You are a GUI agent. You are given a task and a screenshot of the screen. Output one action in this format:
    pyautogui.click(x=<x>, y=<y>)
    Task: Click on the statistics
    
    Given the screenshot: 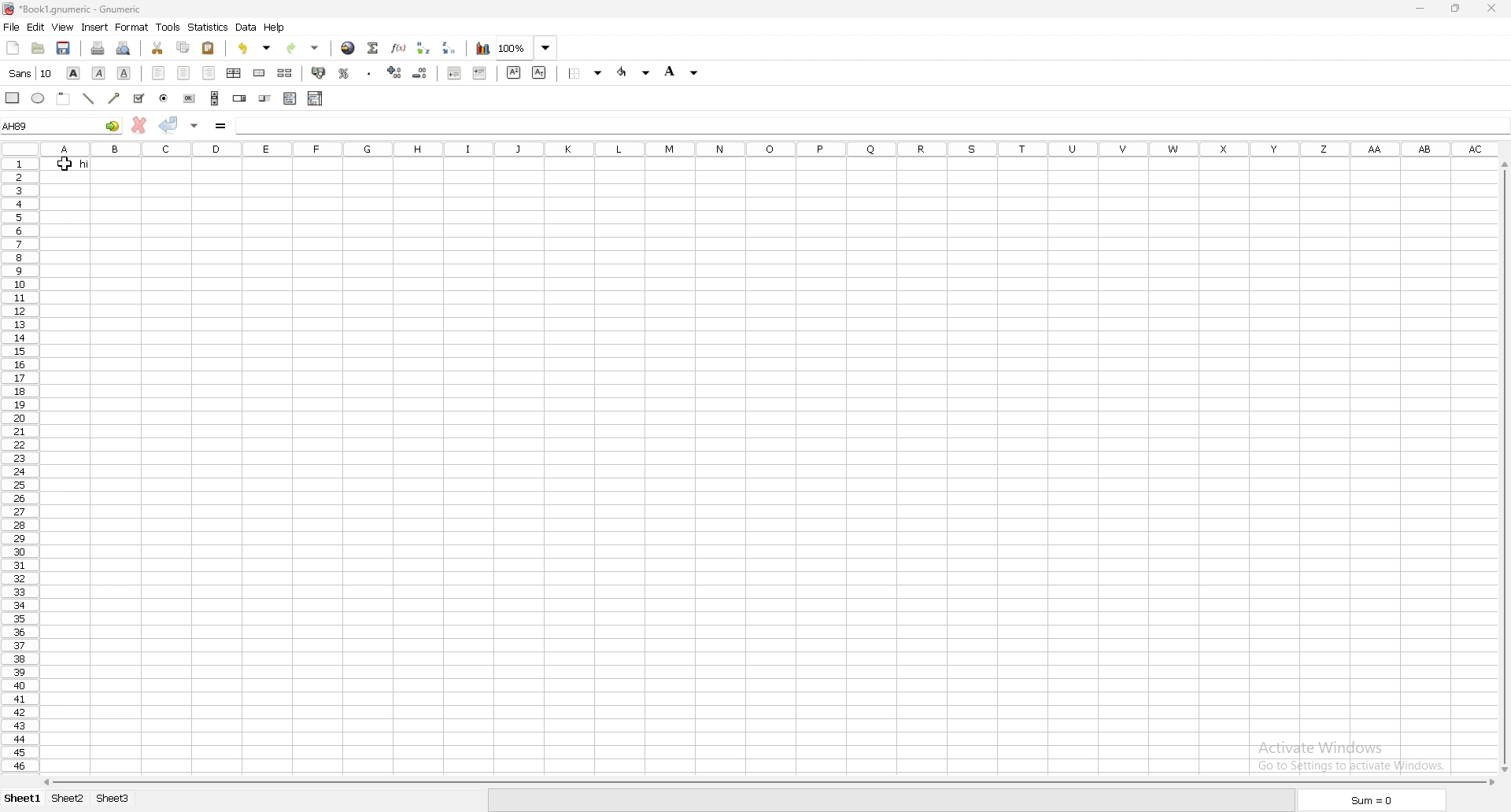 What is the action you would take?
    pyautogui.click(x=208, y=27)
    